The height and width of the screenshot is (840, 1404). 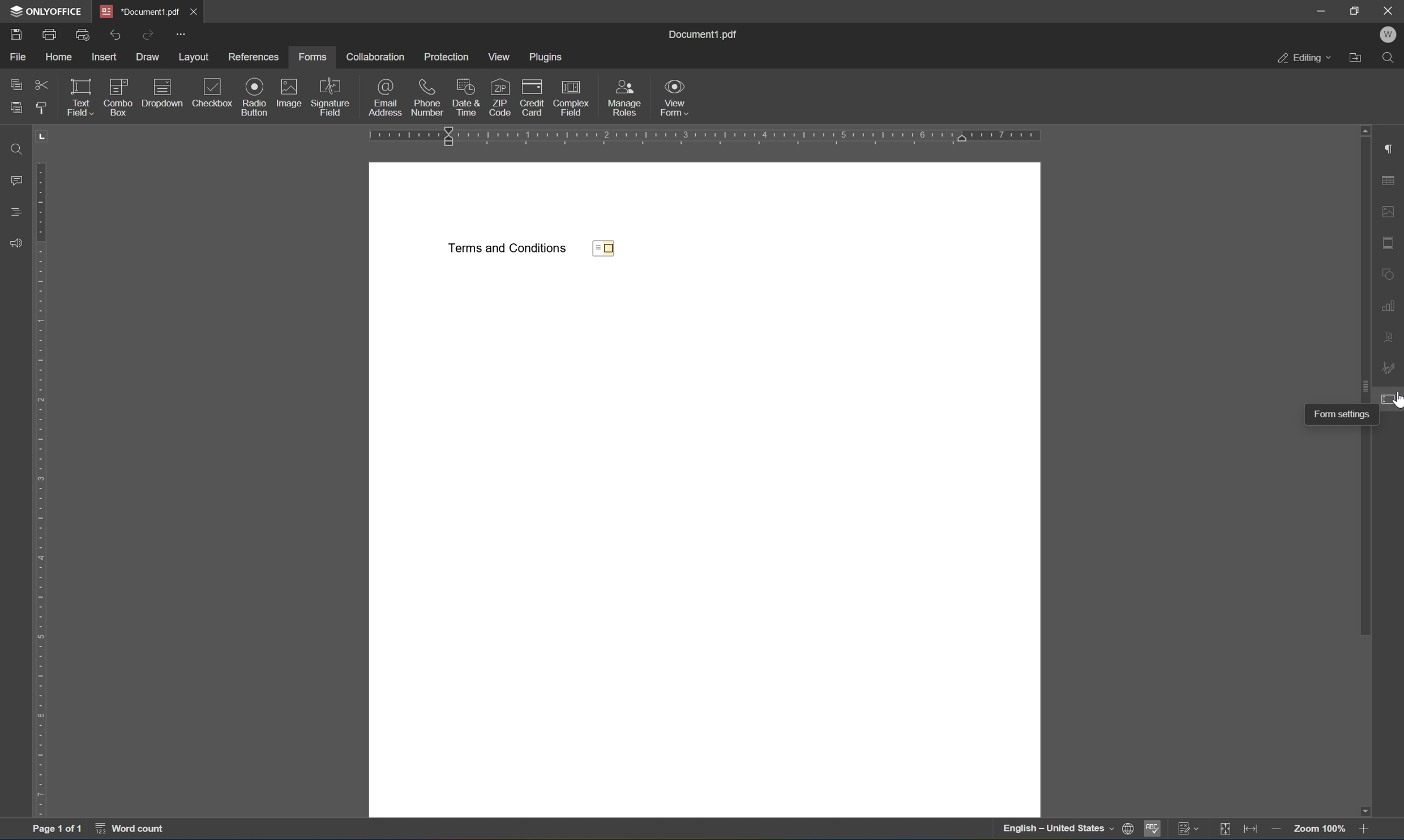 I want to click on icon, so click(x=255, y=86).